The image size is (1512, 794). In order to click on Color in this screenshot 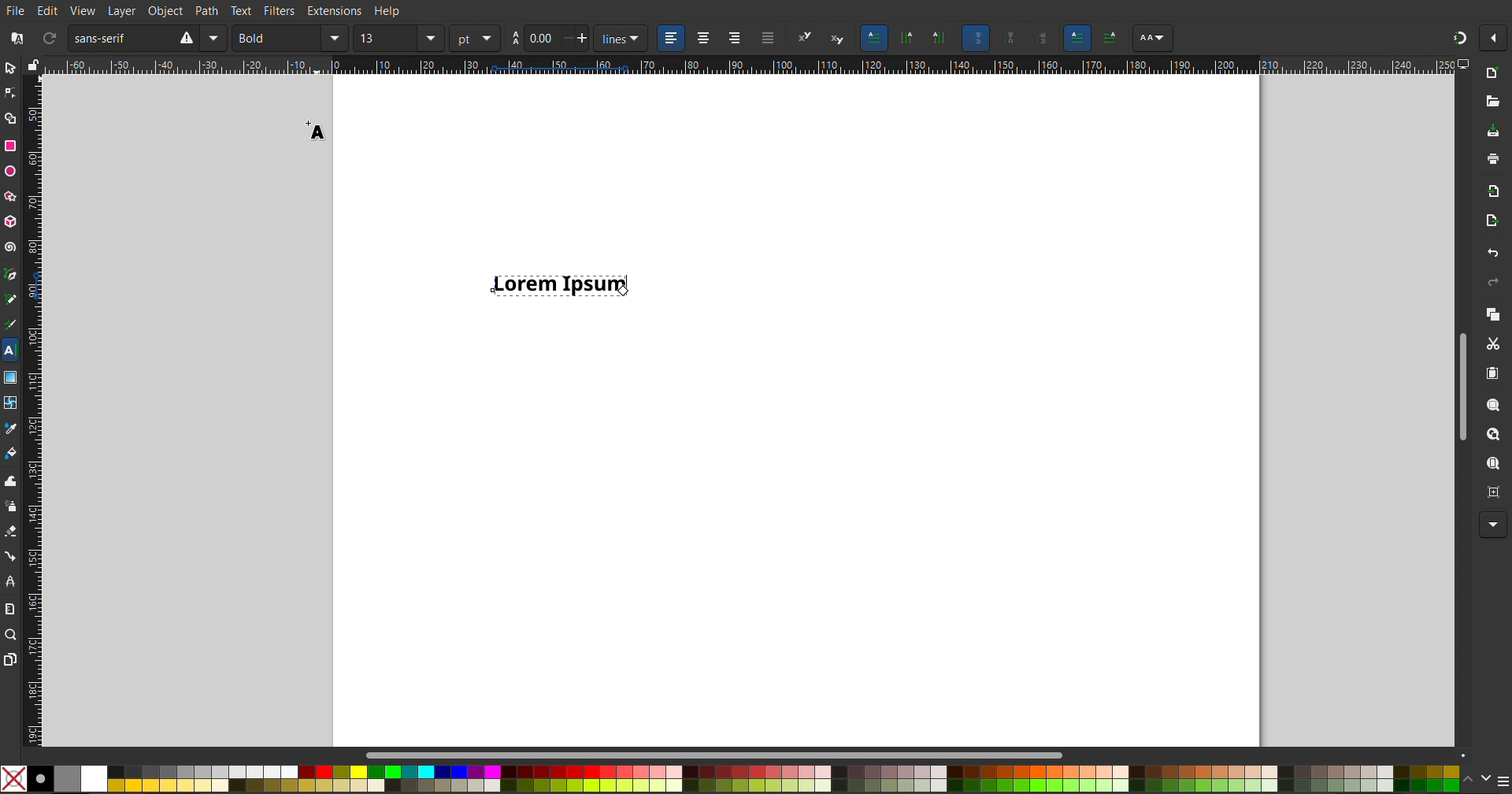, I will do `click(729, 777)`.